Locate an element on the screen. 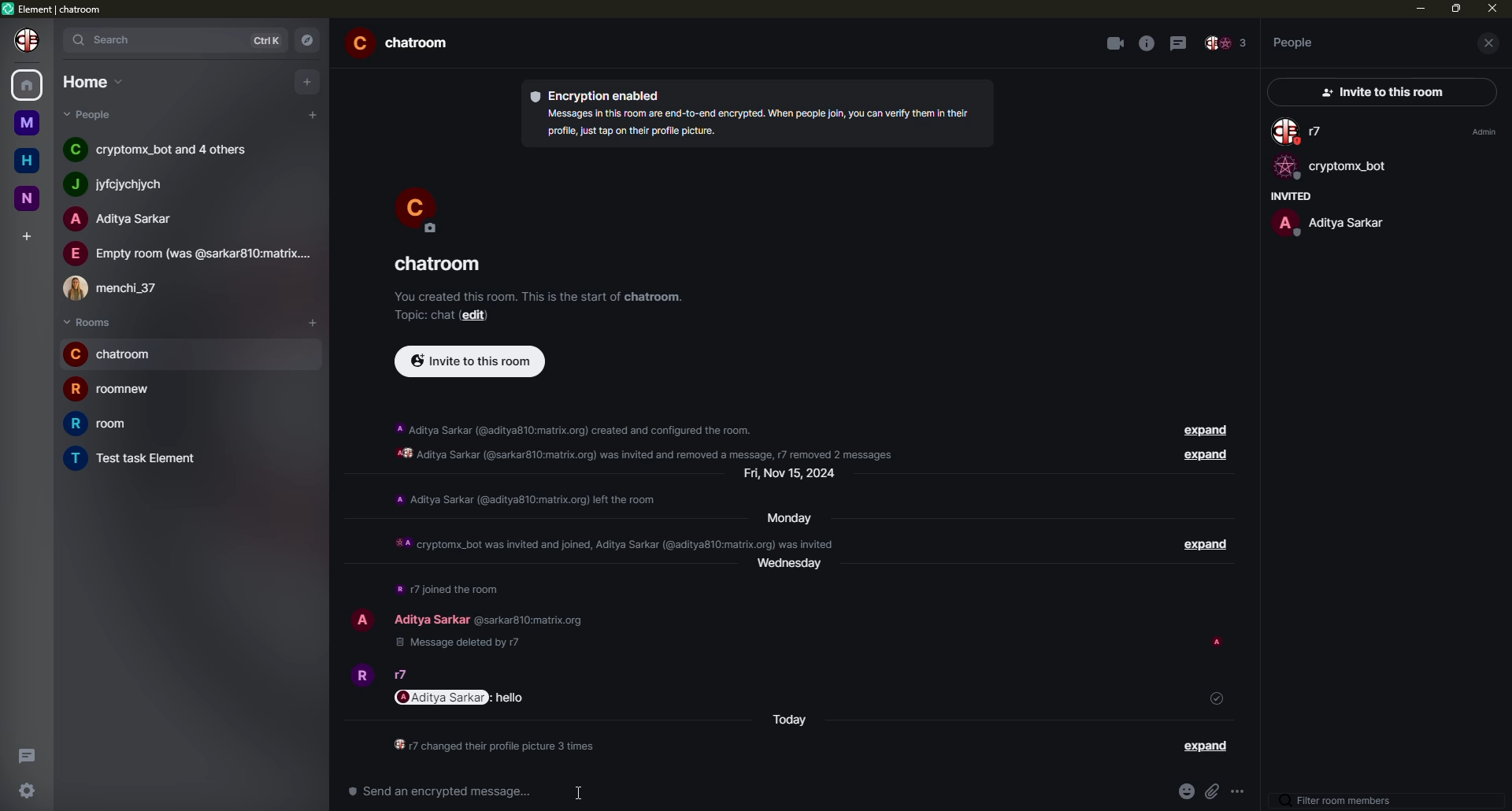  profile is located at coordinates (359, 673).